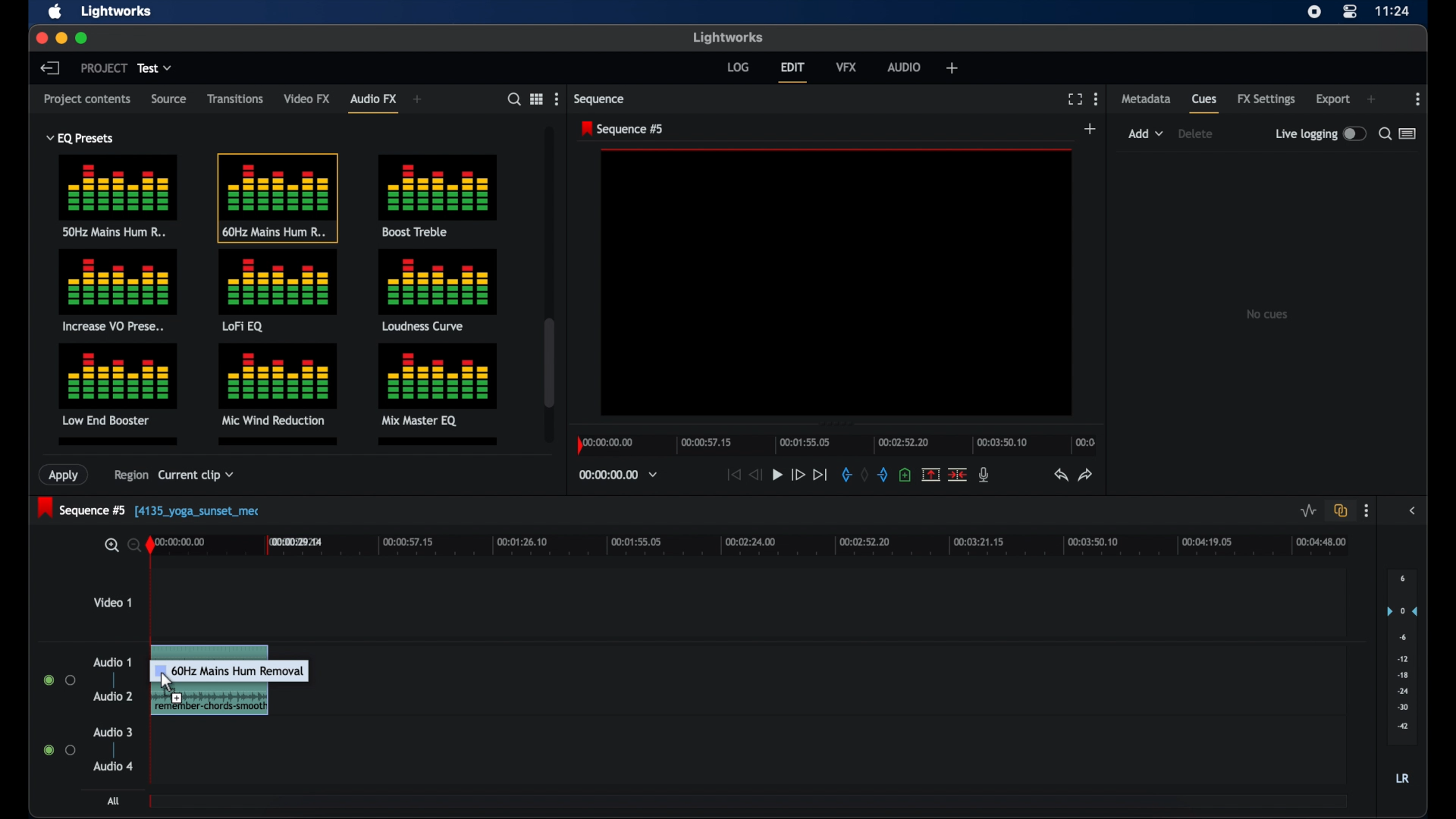 The image size is (1456, 819). I want to click on more options, so click(1096, 99).